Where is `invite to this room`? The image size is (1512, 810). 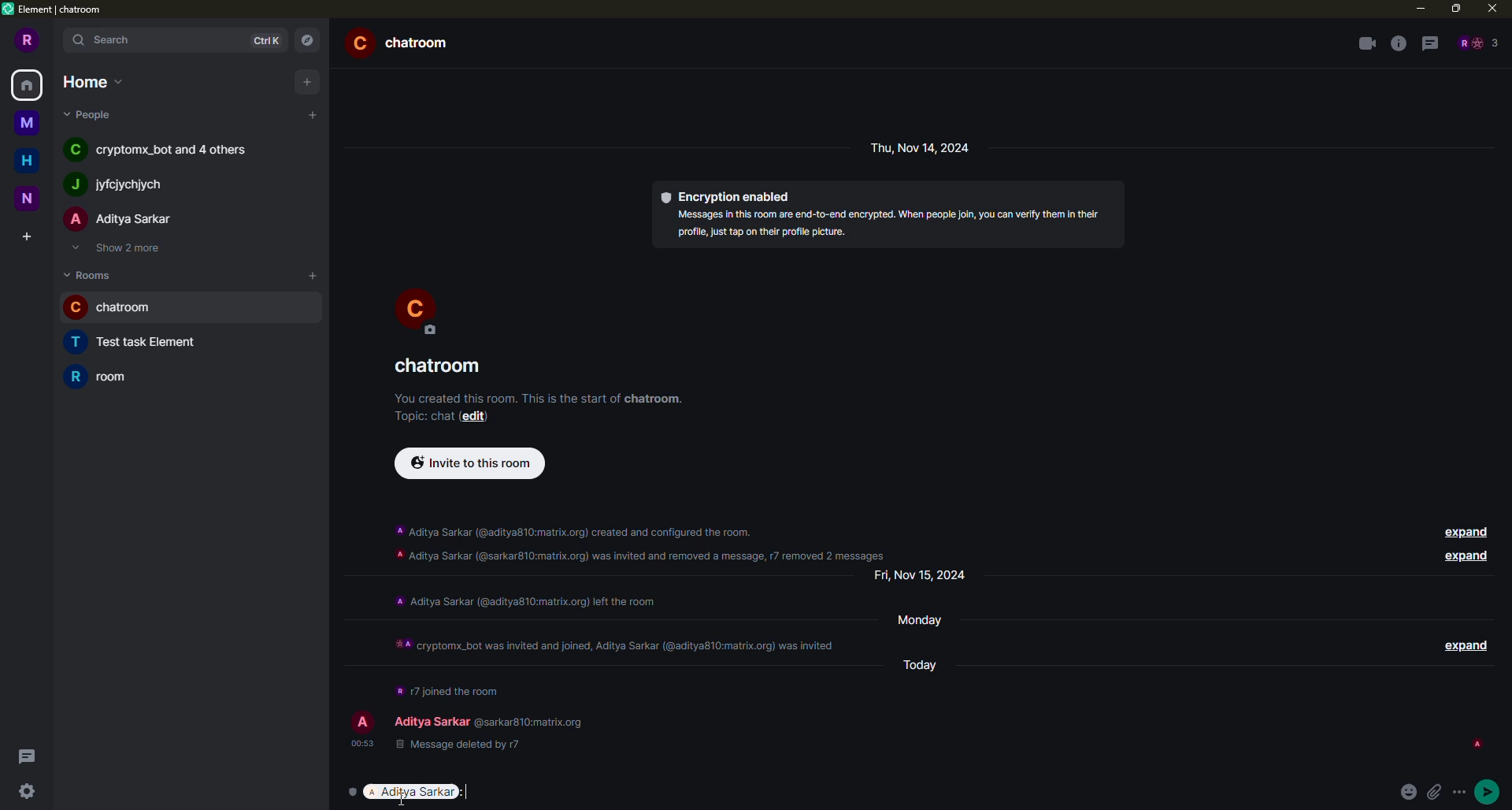 invite to this room is located at coordinates (474, 463).